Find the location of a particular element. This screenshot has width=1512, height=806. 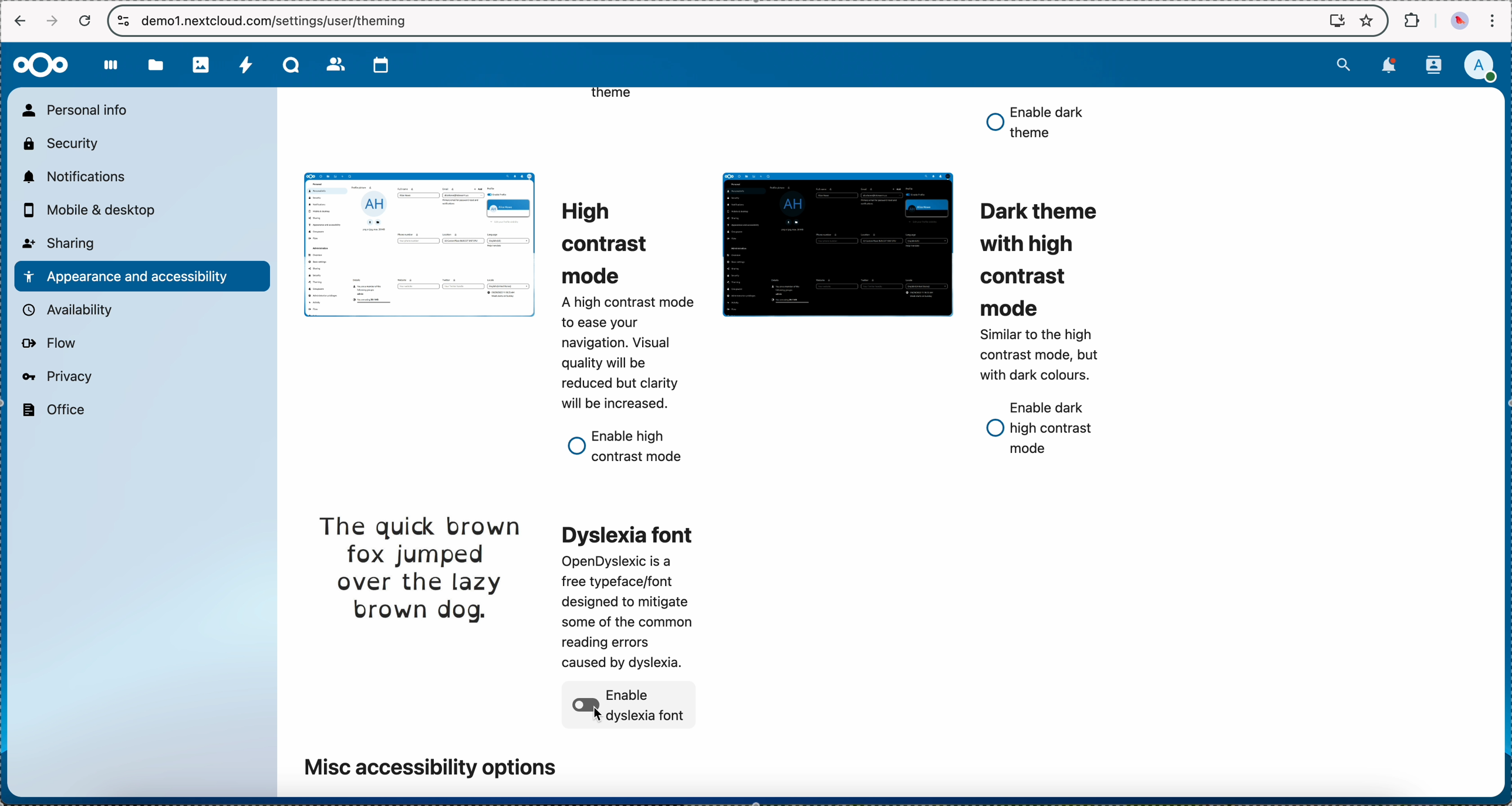

activity is located at coordinates (244, 66).